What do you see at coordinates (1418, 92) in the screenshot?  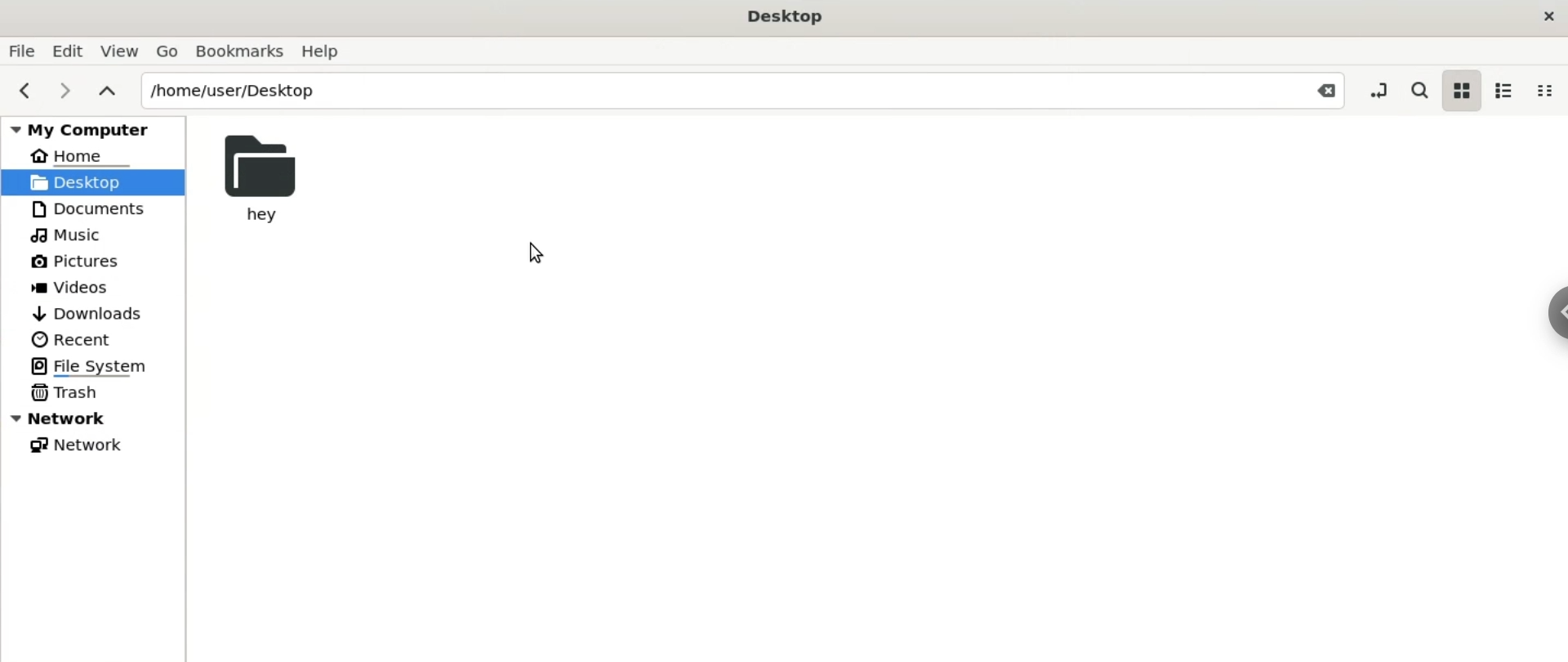 I see `search` at bounding box center [1418, 92].